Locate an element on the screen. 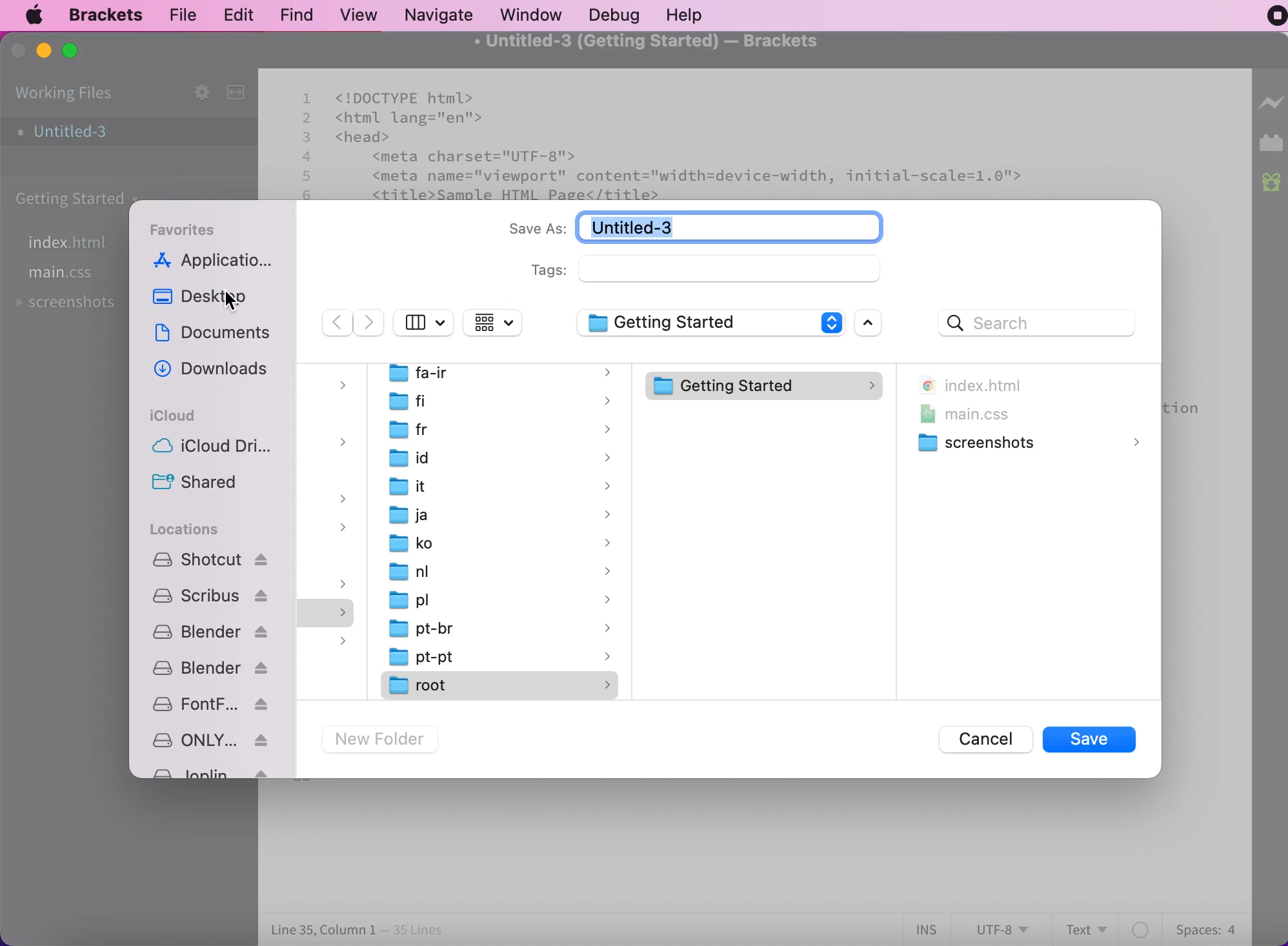 The image size is (1288, 946). previous is located at coordinates (336, 321).